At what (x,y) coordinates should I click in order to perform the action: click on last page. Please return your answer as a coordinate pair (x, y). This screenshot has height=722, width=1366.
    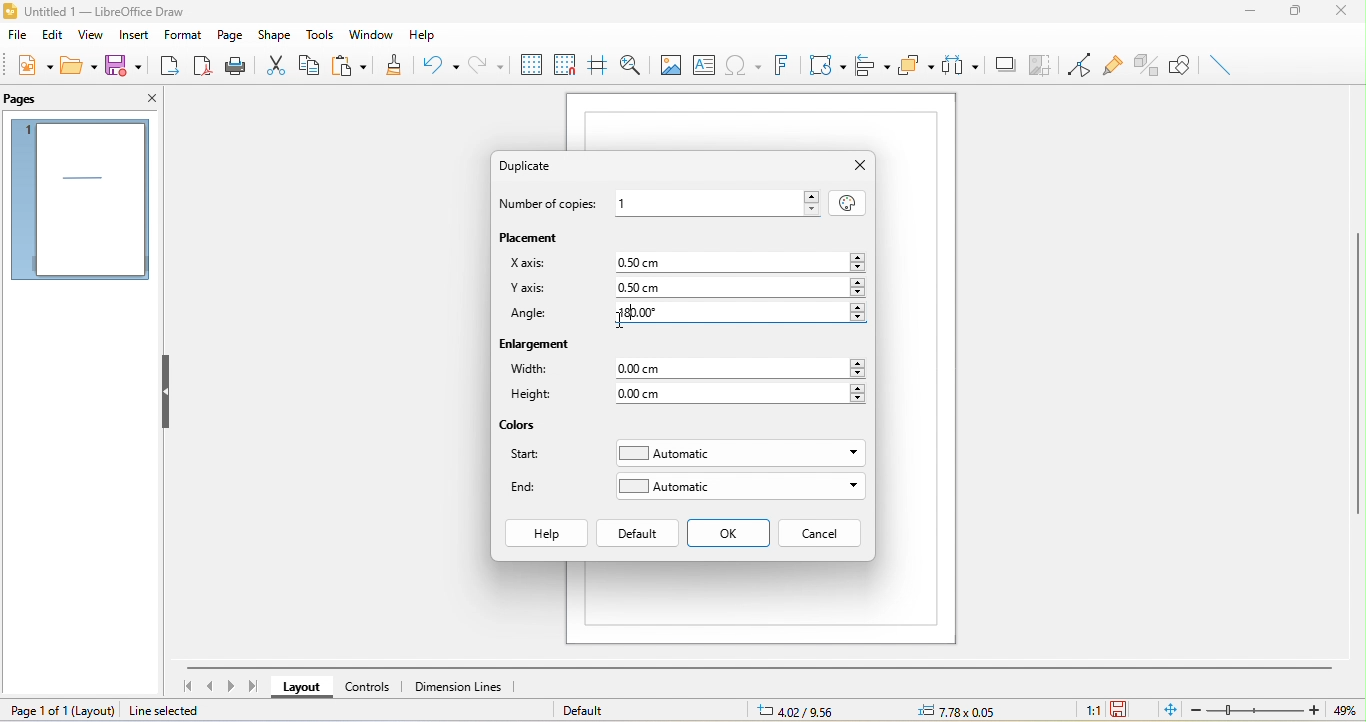
    Looking at the image, I should click on (255, 686).